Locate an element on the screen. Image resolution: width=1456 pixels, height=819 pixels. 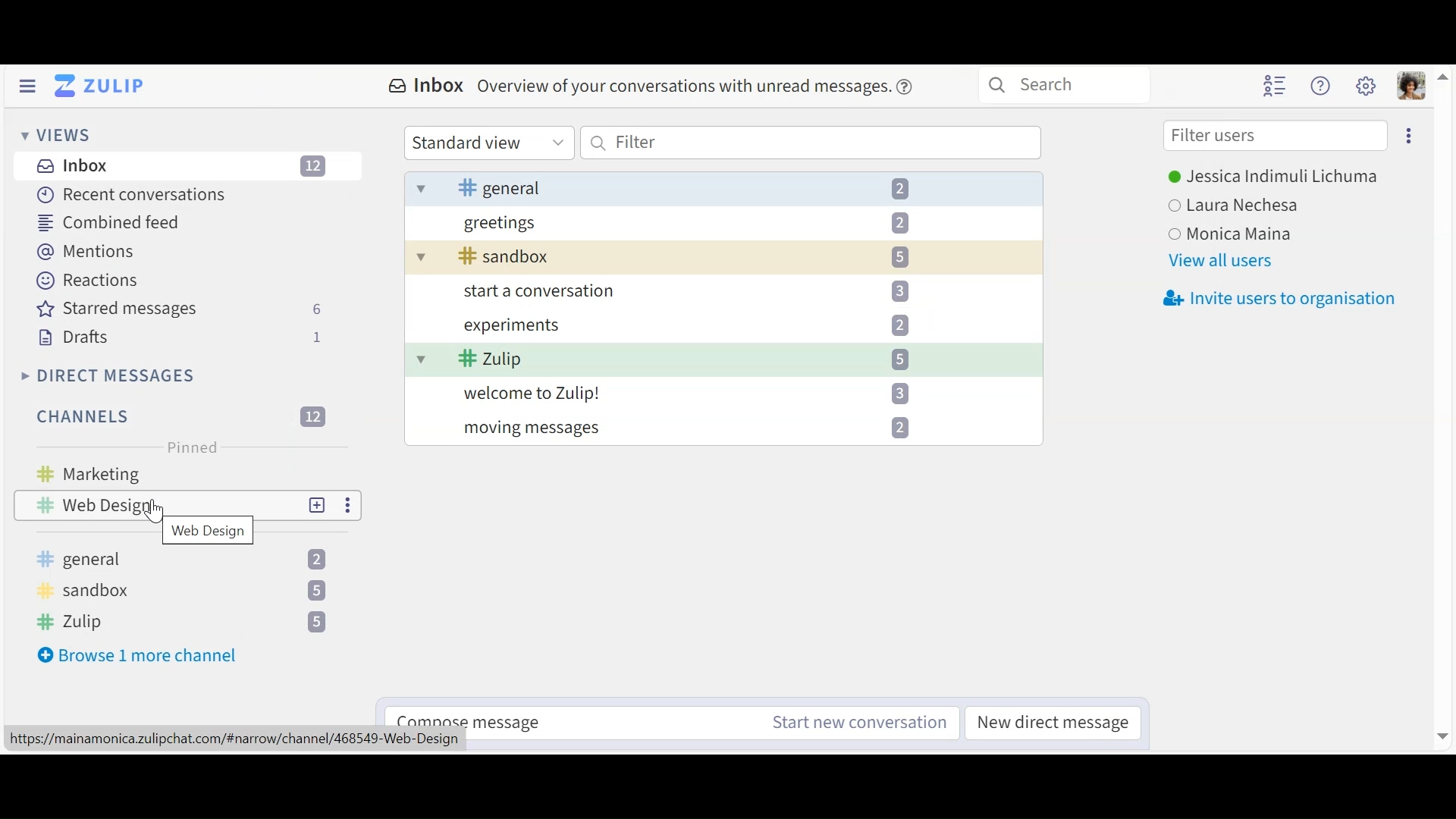
Settings is located at coordinates (1367, 84).